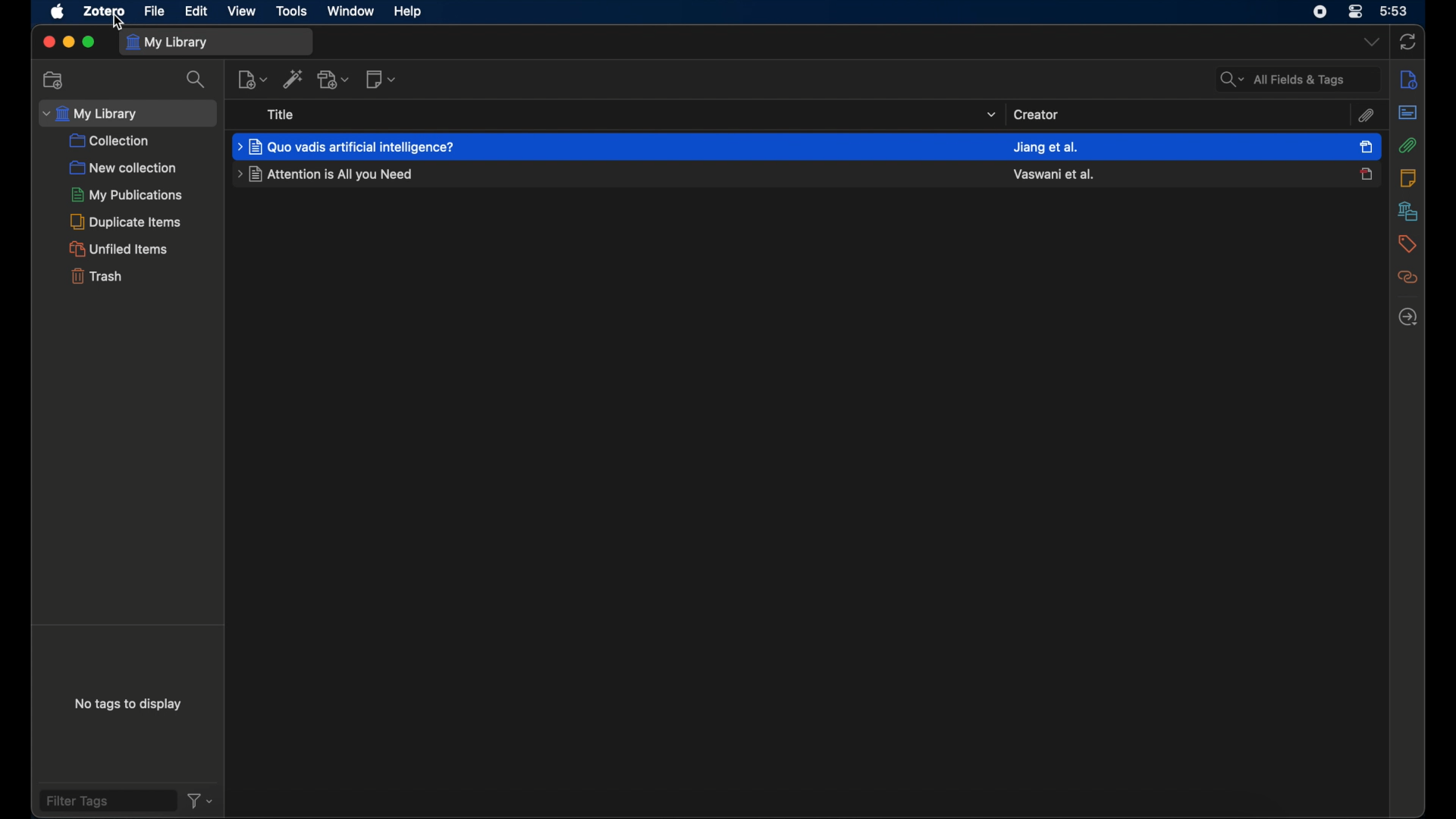 This screenshot has height=819, width=1456. Describe the element at coordinates (1370, 43) in the screenshot. I see `dropdown menu` at that location.